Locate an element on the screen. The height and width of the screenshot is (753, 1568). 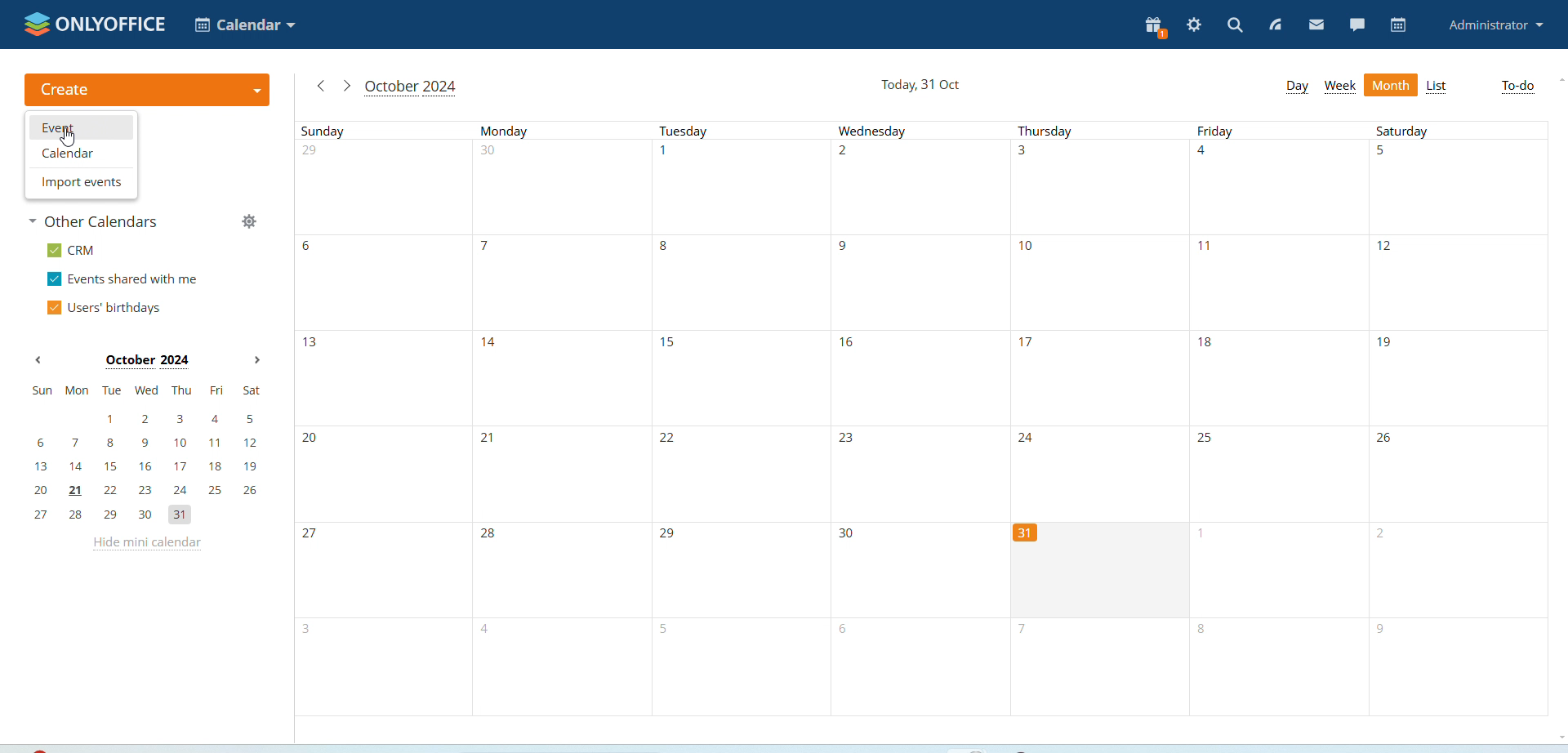
hide mini calendar is located at coordinates (146, 545).